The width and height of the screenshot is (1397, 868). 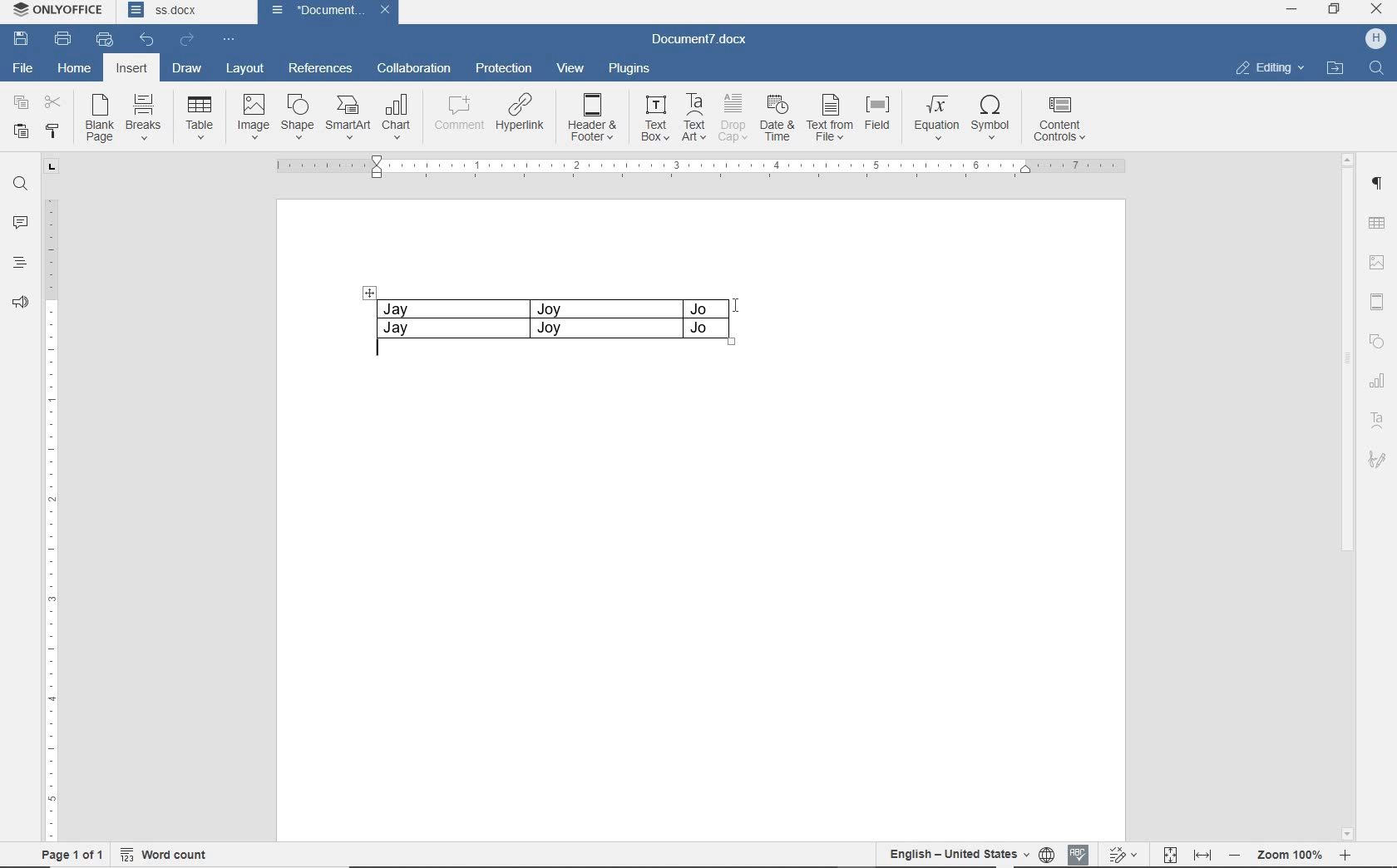 What do you see at coordinates (62, 12) in the screenshot?
I see `SYSTEM NAME` at bounding box center [62, 12].